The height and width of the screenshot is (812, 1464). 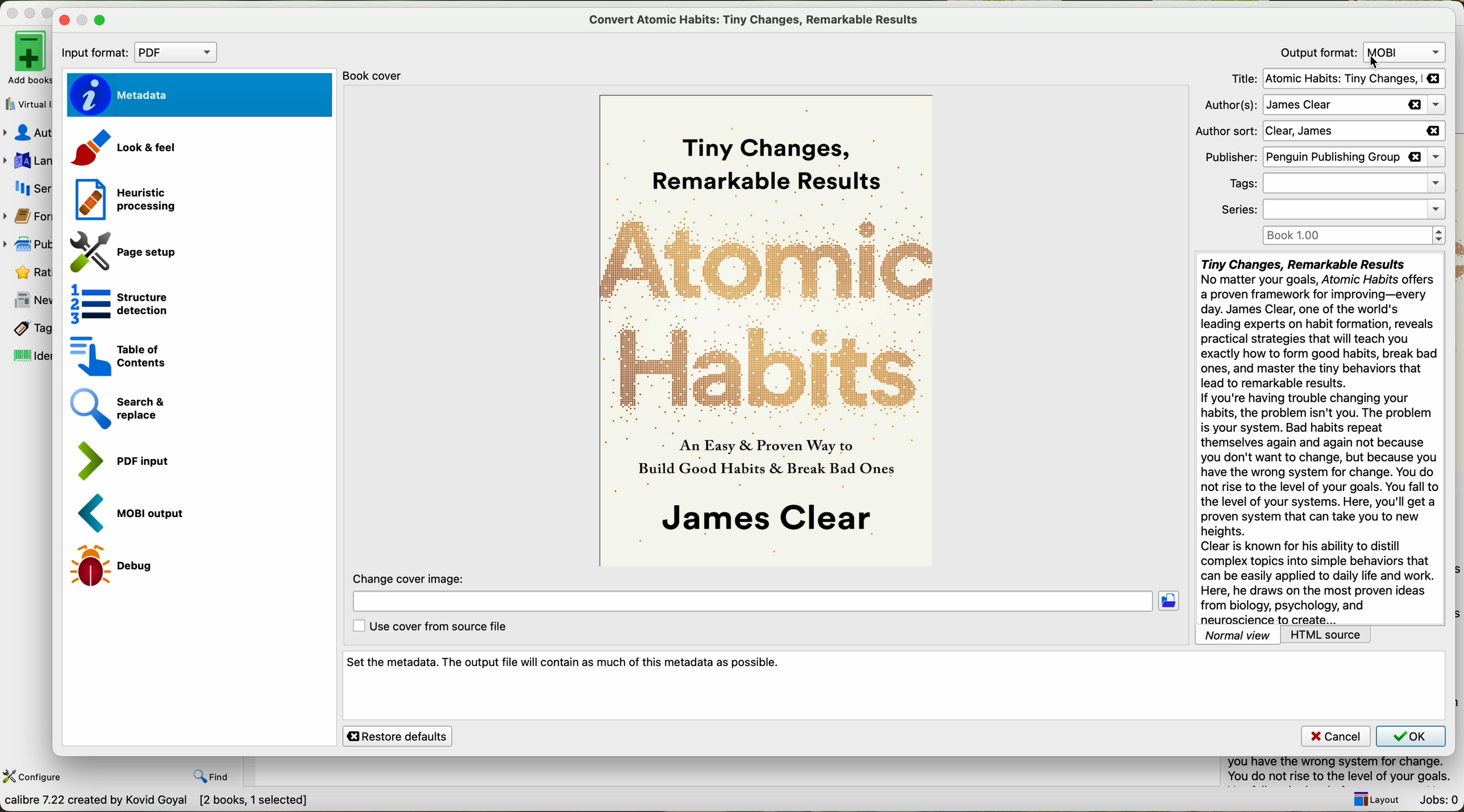 I want to click on cursor, so click(x=1376, y=64).